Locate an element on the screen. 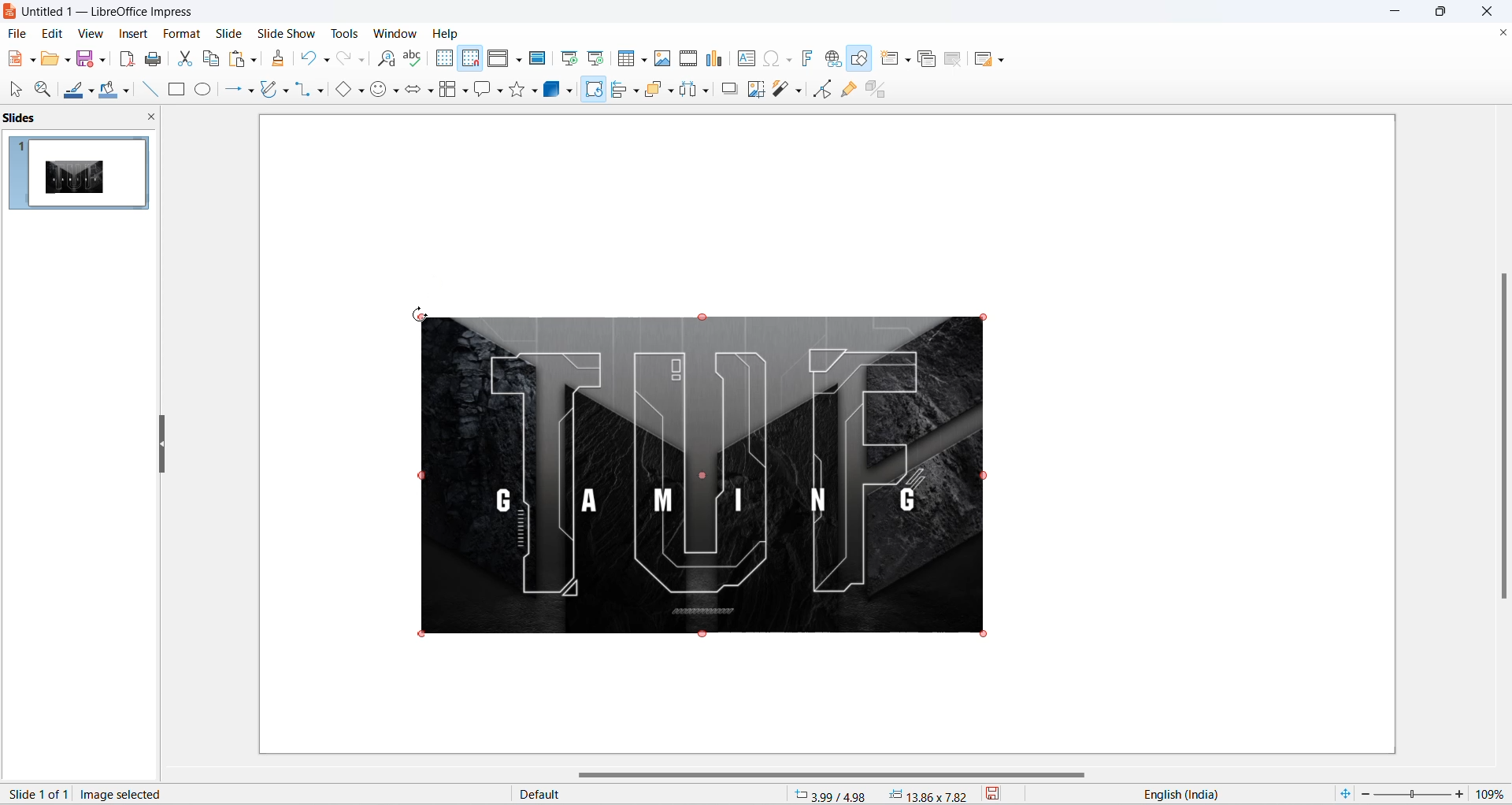 This screenshot has height=805, width=1512. format is located at coordinates (179, 35).